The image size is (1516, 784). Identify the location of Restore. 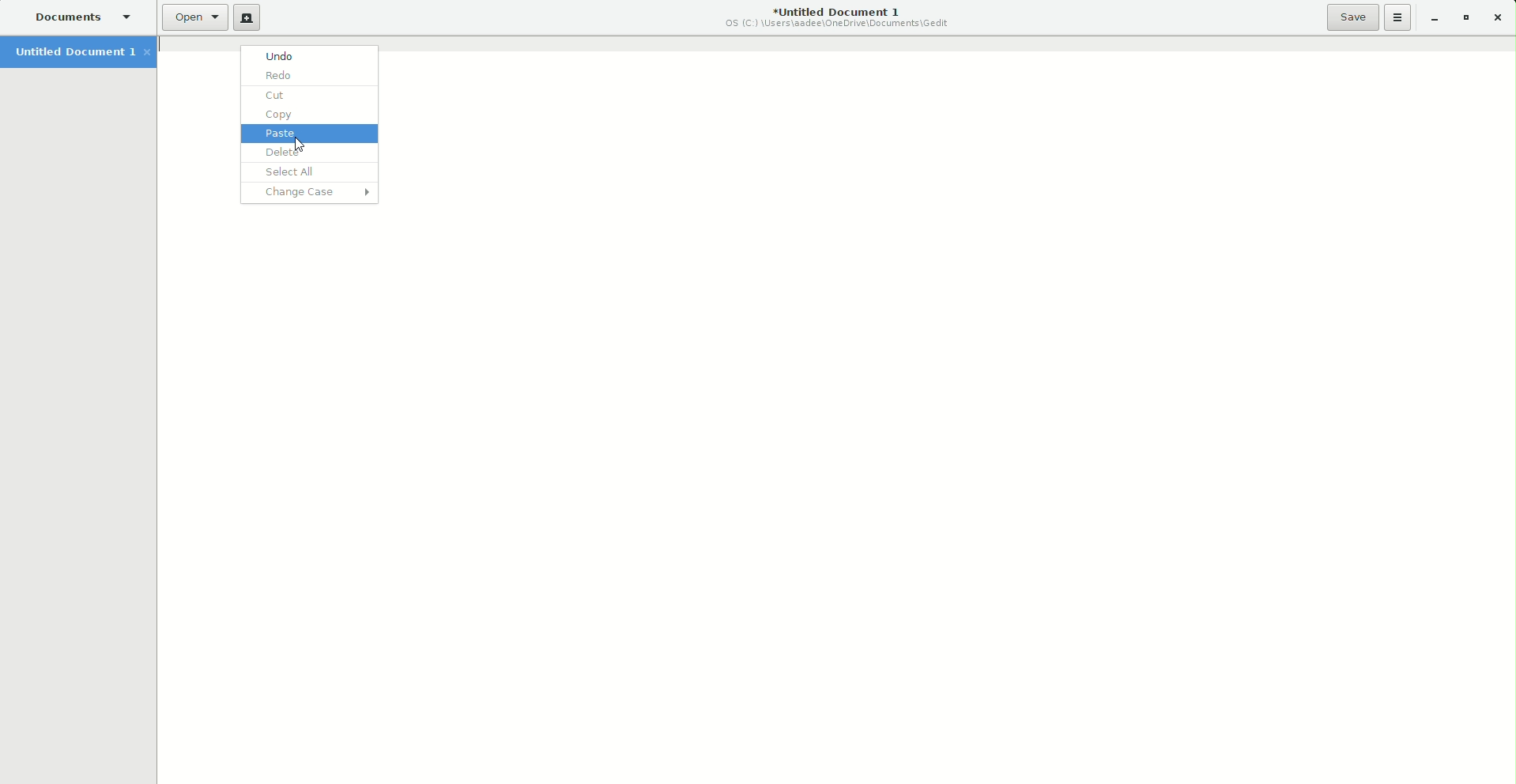
(1463, 17).